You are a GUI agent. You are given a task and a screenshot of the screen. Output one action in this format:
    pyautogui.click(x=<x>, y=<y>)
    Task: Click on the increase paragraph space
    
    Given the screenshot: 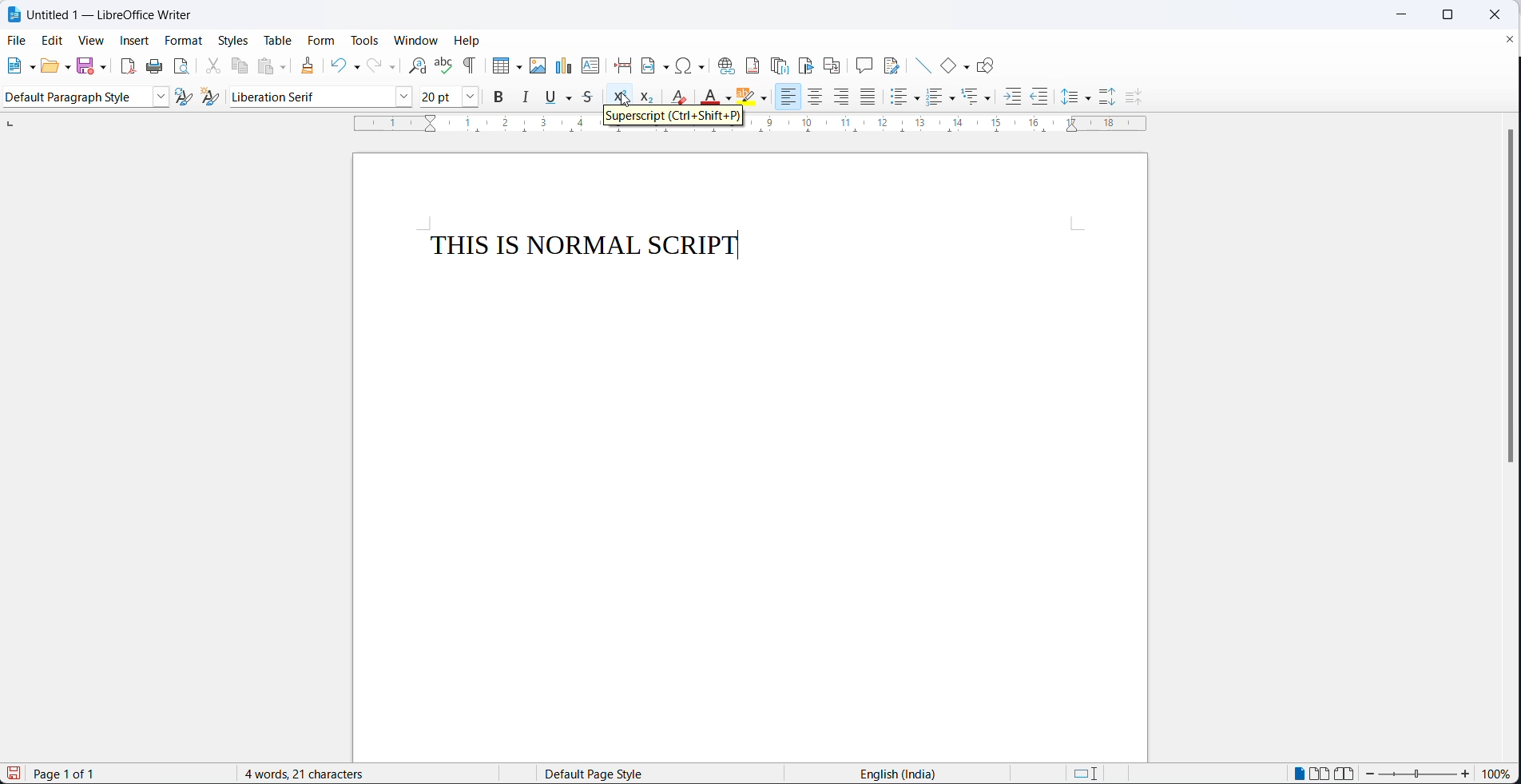 What is the action you would take?
    pyautogui.click(x=1107, y=97)
    